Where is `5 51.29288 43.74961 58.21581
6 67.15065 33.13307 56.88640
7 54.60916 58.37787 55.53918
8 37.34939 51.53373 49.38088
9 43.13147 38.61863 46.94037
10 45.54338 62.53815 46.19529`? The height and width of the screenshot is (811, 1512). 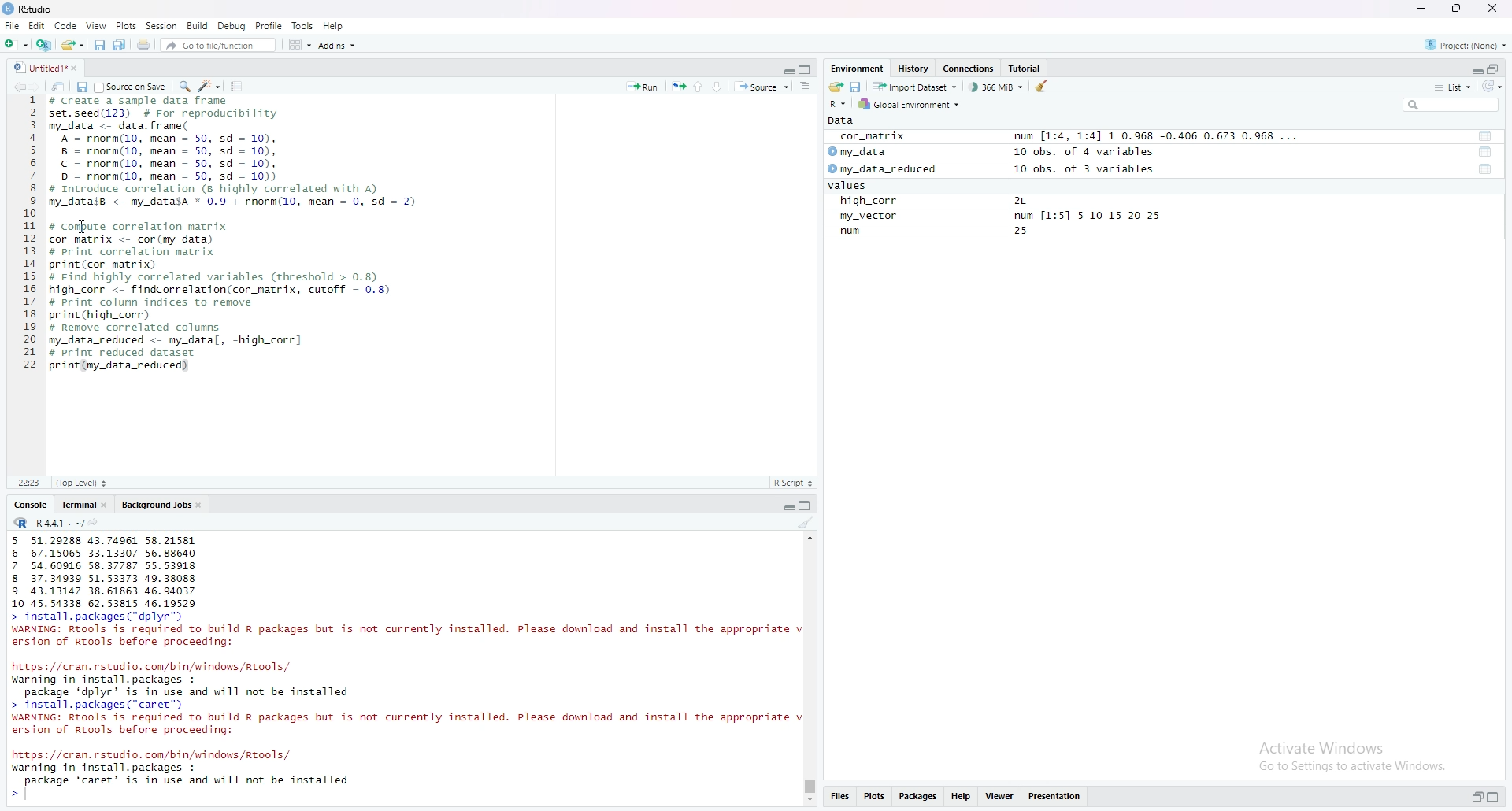 5 51.29288 43.74961 58.21581
6 67.15065 33.13307 56.88640
7 54.60916 58.37787 55.53918
8 37.34939 51.53373 49.38088
9 43.13147 38.61863 46.94037
10 45.54338 62.53815 46.19529 is located at coordinates (102, 572).